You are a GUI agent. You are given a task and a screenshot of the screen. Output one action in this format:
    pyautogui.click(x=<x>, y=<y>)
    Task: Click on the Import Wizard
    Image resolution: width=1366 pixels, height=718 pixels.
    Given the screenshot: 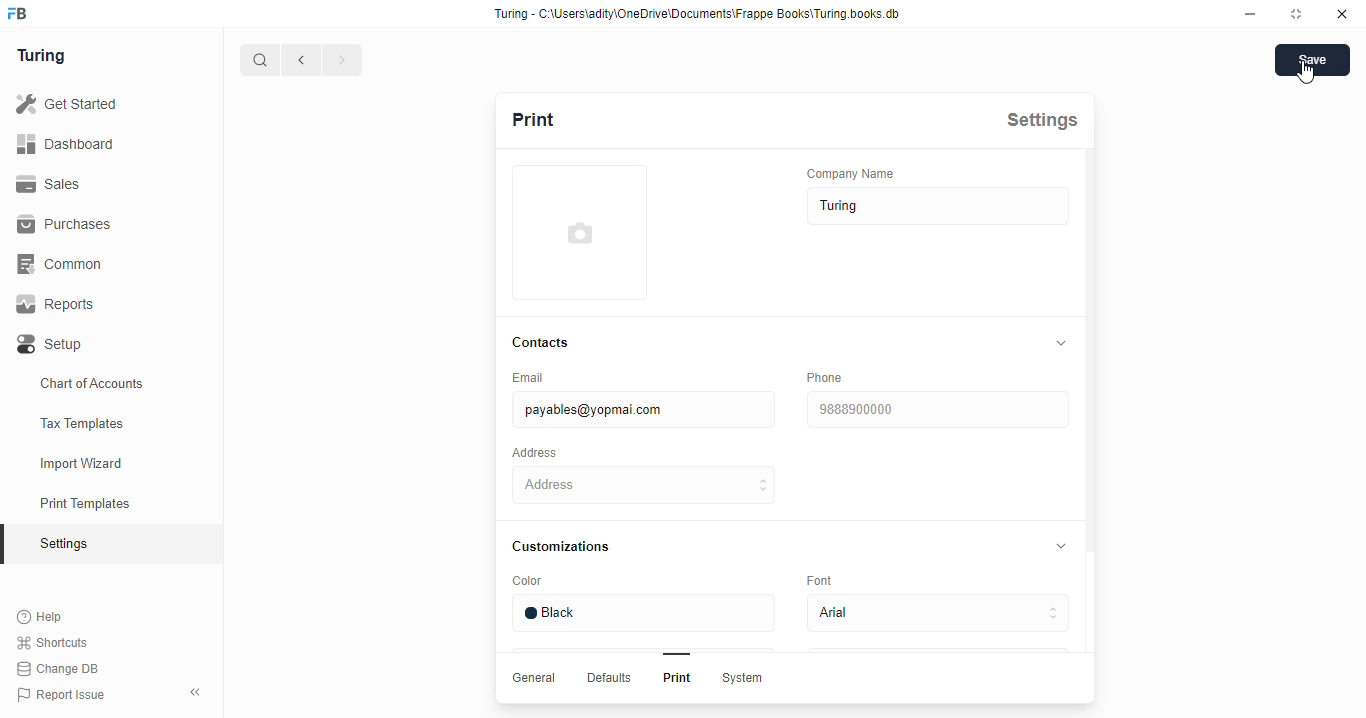 What is the action you would take?
    pyautogui.click(x=108, y=462)
    